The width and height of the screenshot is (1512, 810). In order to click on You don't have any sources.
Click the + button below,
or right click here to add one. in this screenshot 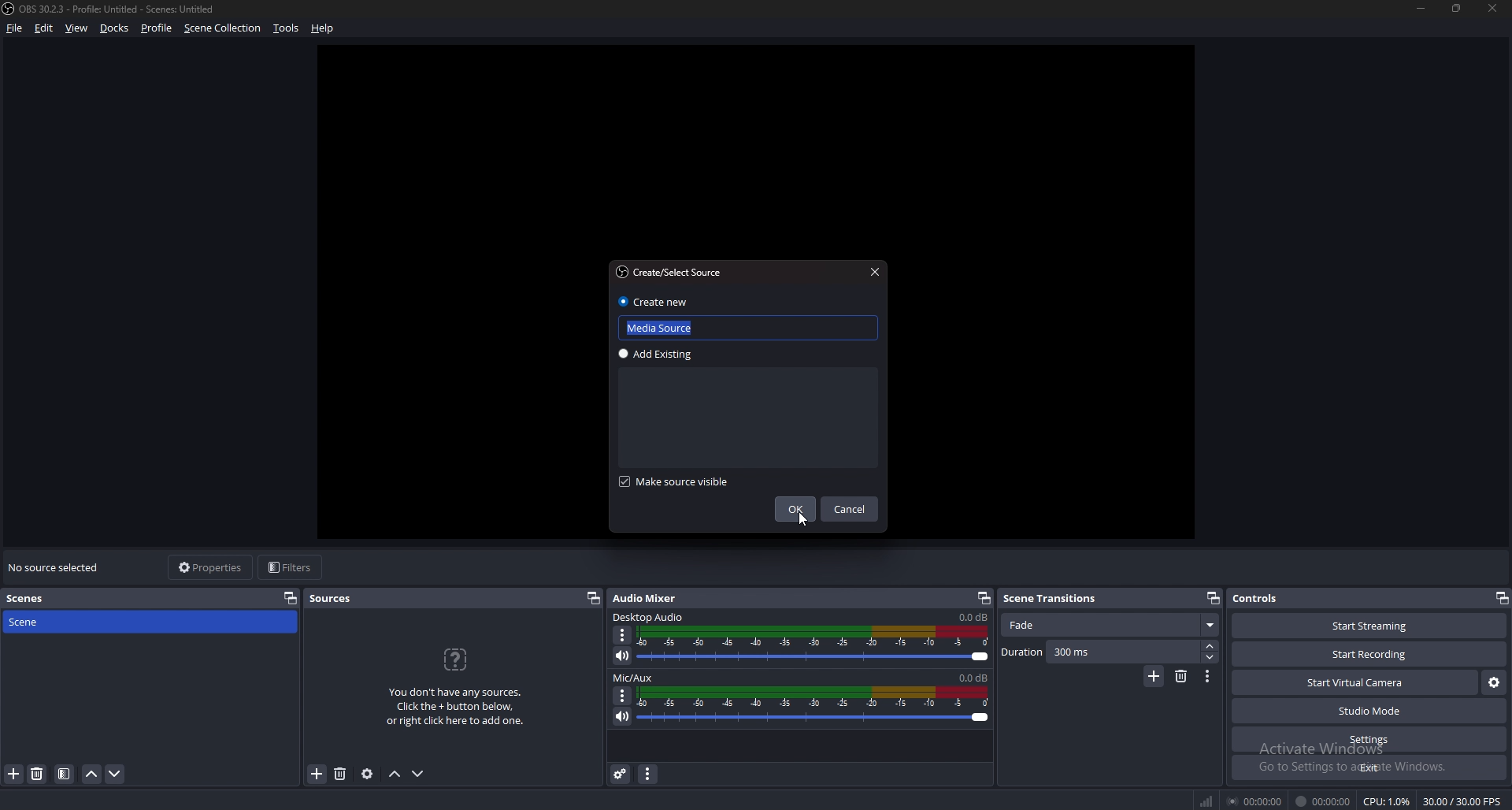, I will do `click(454, 687)`.